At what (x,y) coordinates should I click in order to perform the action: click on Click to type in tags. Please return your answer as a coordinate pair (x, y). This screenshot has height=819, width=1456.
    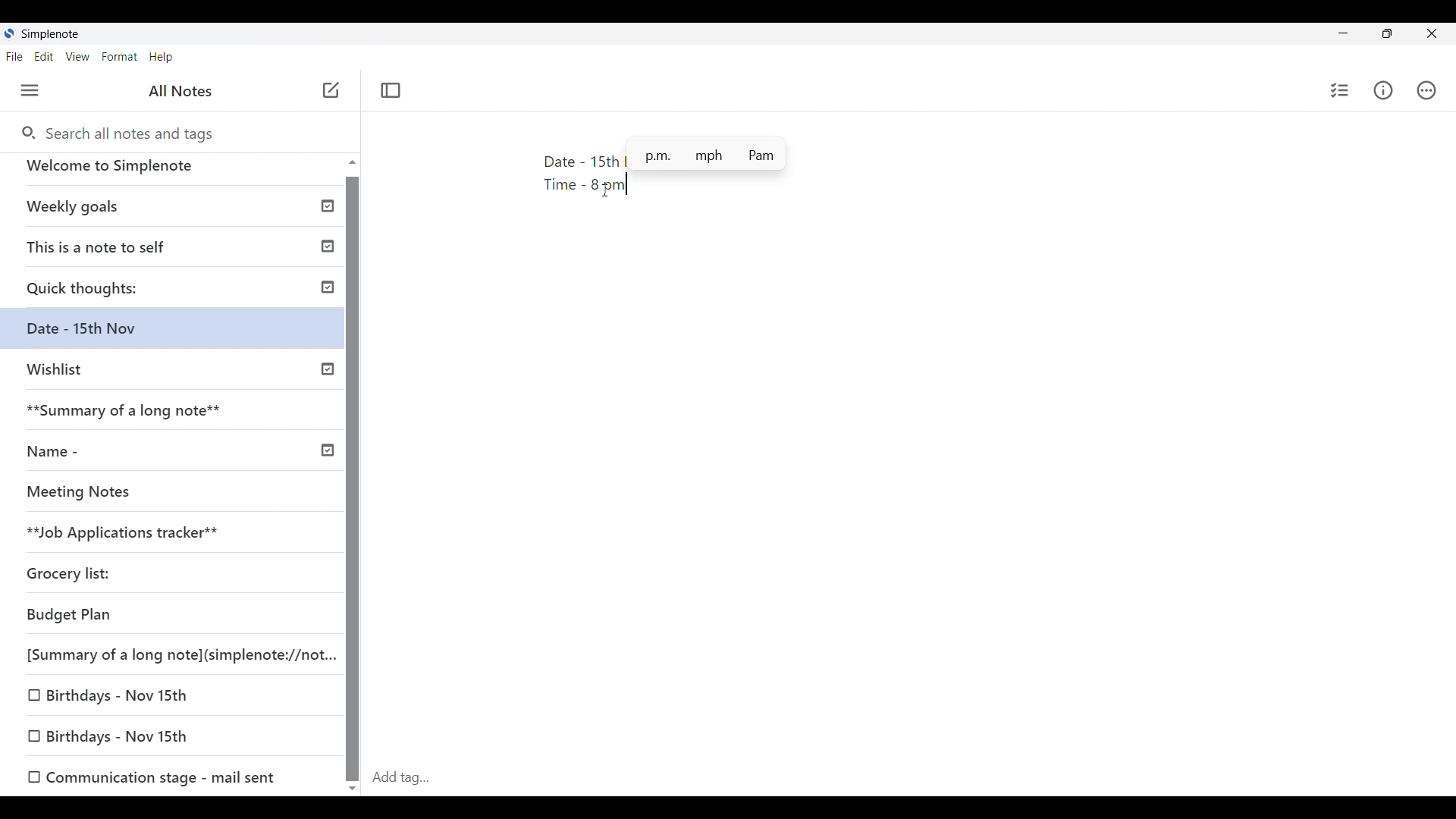
    Looking at the image, I should click on (910, 779).